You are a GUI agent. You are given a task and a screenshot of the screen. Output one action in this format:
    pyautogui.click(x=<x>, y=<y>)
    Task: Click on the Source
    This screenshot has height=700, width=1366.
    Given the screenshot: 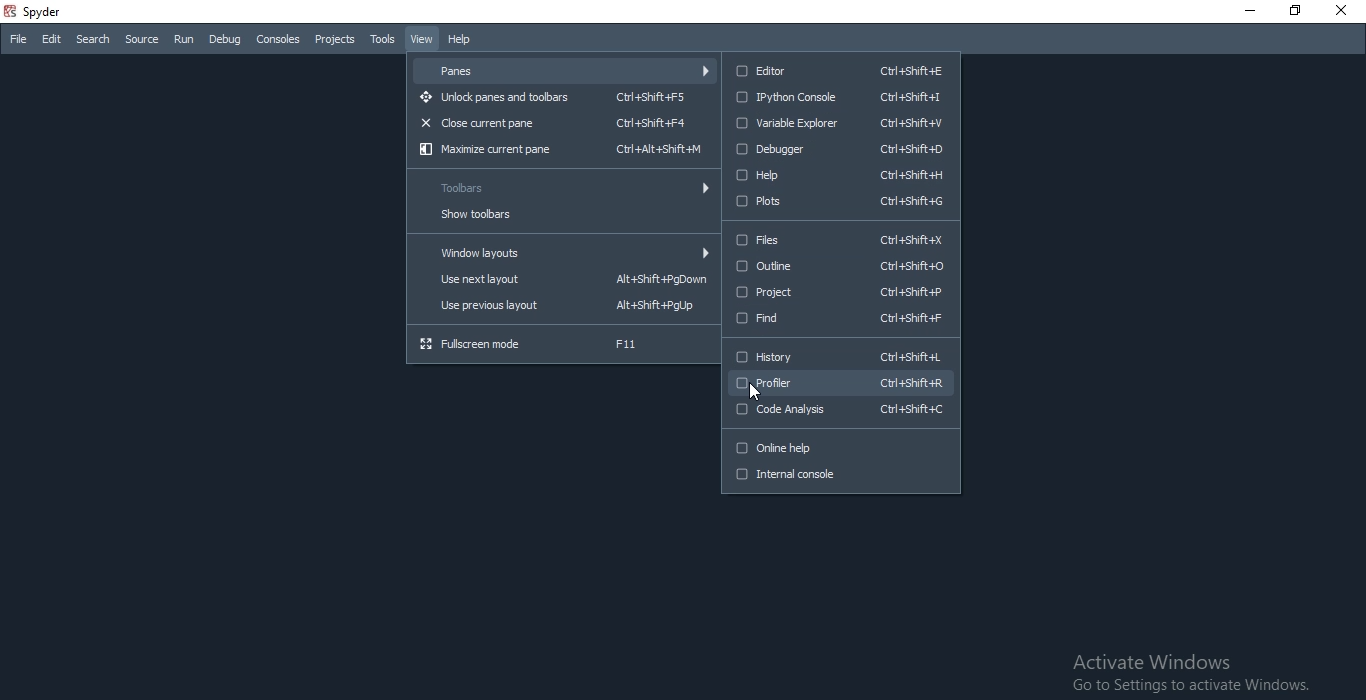 What is the action you would take?
    pyautogui.click(x=143, y=40)
    